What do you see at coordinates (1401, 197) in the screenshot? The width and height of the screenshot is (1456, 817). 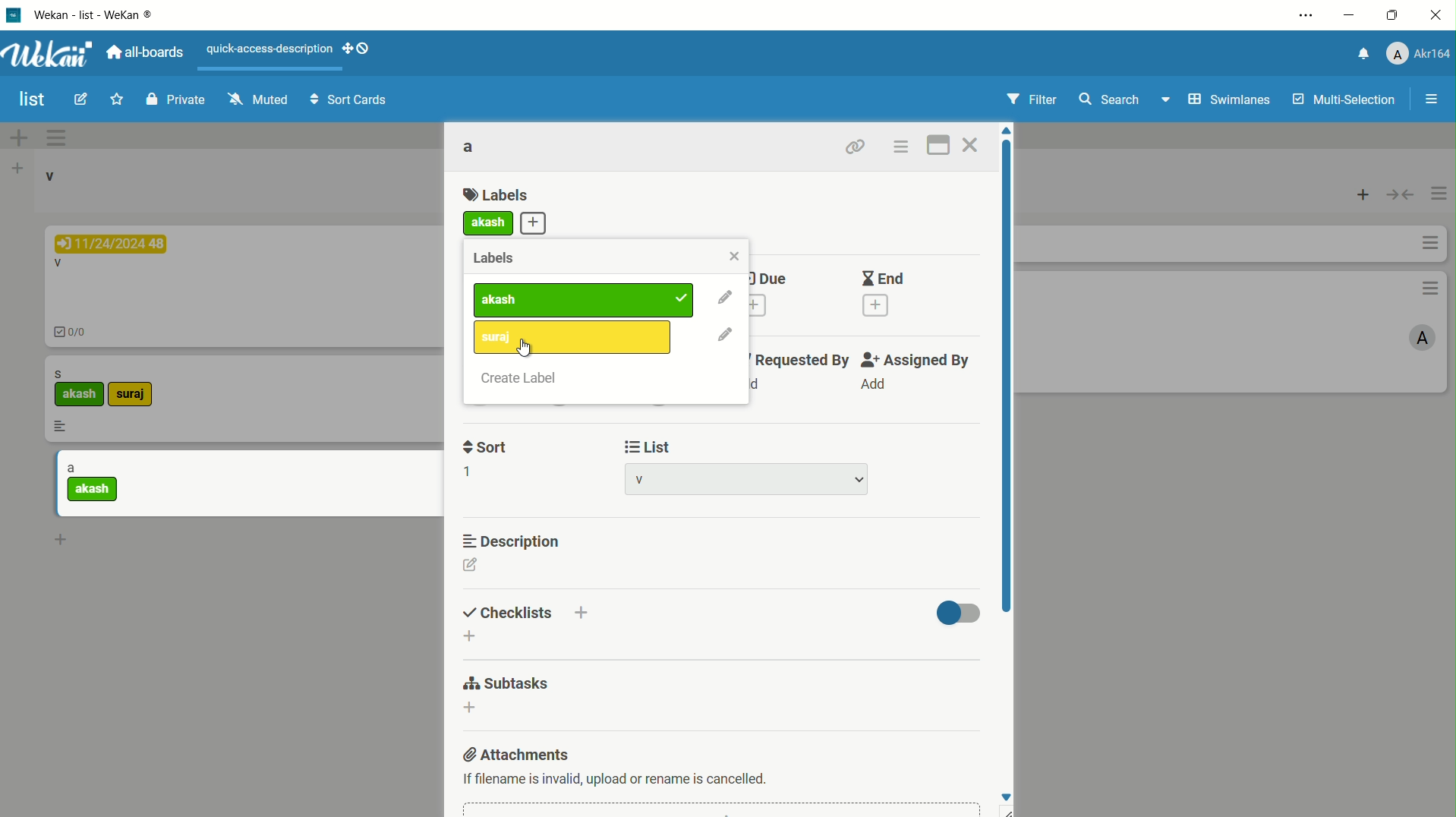 I see `toggle` at bounding box center [1401, 197].